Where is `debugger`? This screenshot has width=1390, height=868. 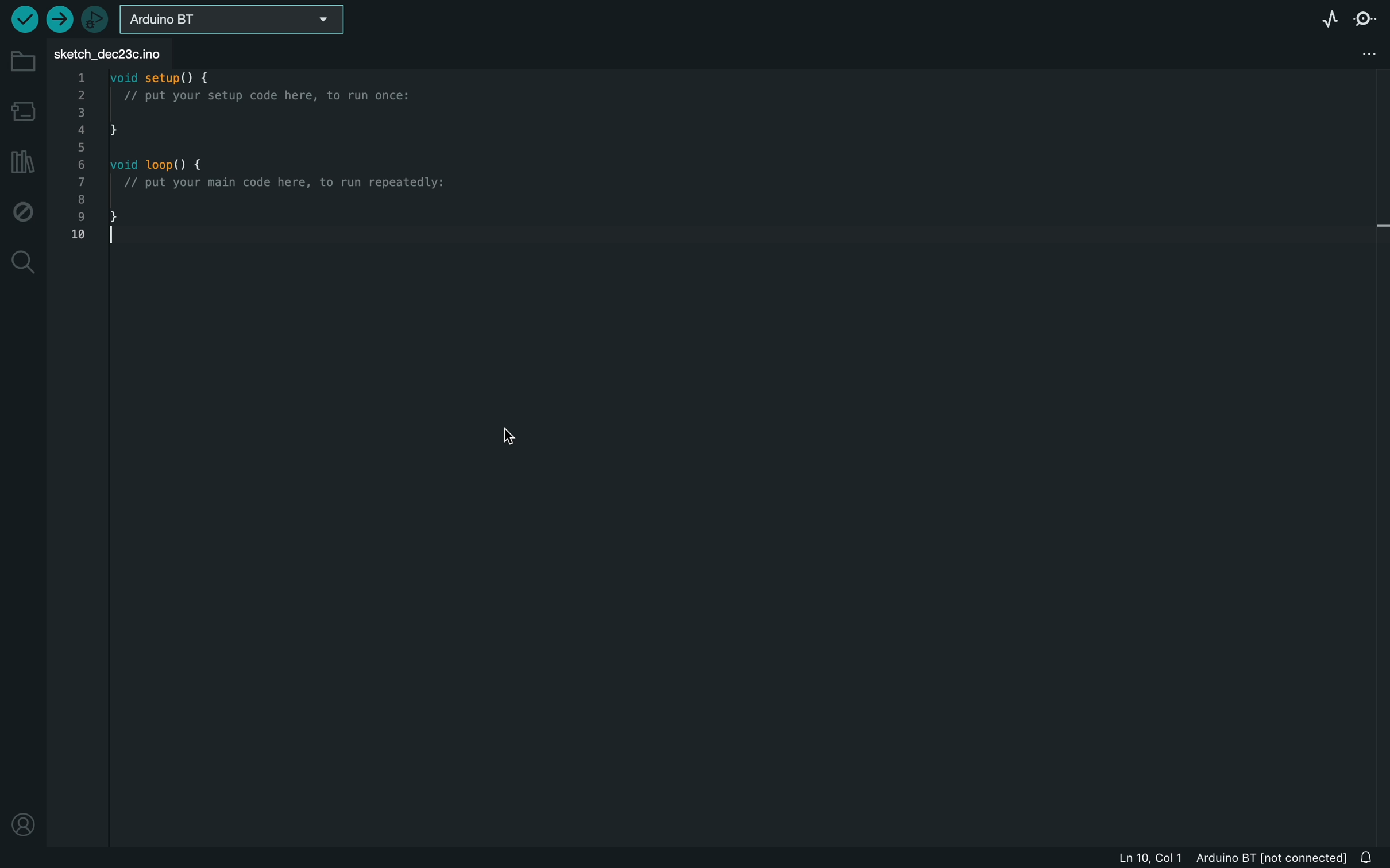 debugger is located at coordinates (96, 20).